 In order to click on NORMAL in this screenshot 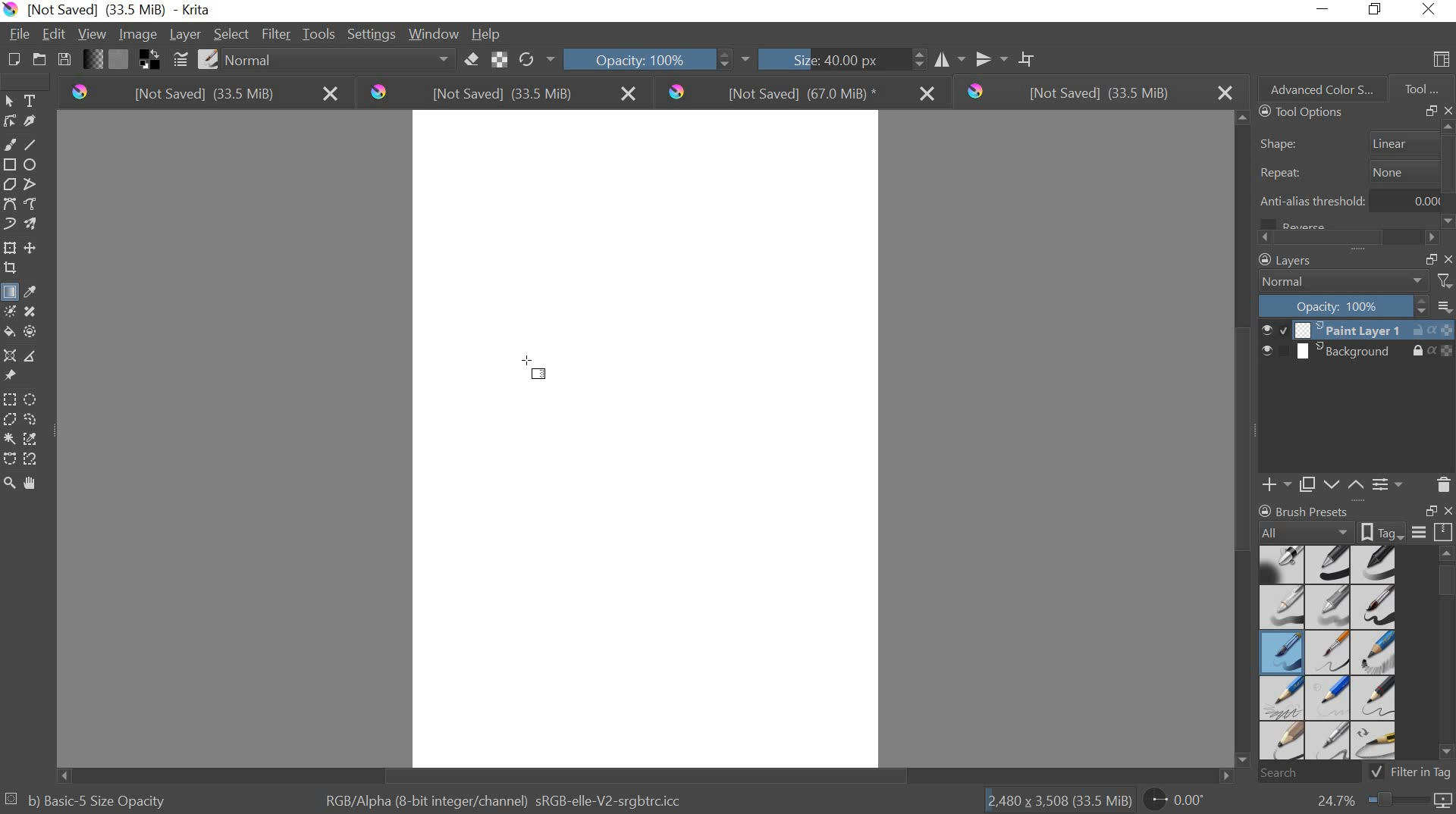, I will do `click(1344, 282)`.